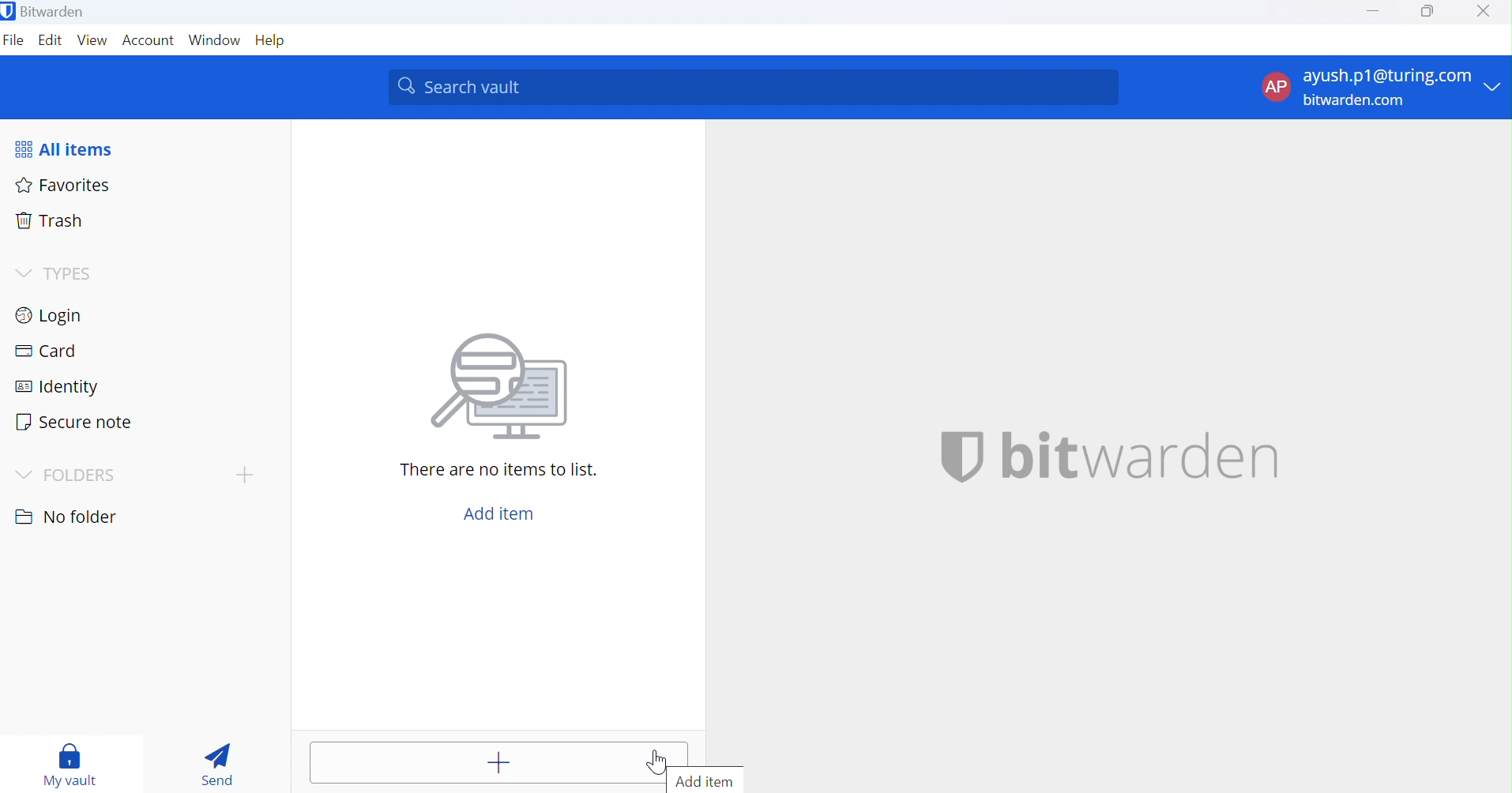 Image resolution: width=1512 pixels, height=793 pixels. Describe the element at coordinates (25, 474) in the screenshot. I see `Drop Down` at that location.